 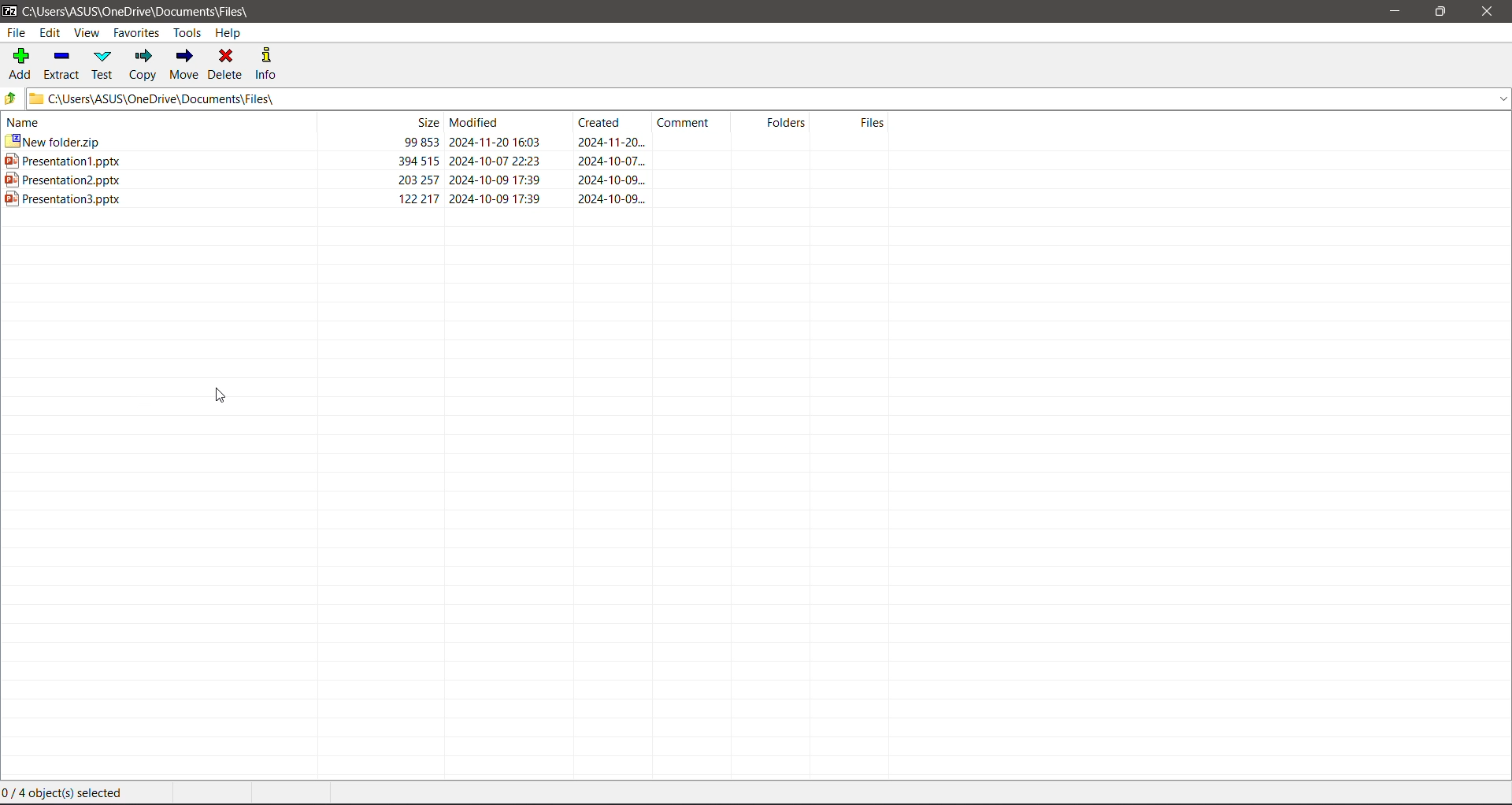 I want to click on Favorites, so click(x=138, y=33).